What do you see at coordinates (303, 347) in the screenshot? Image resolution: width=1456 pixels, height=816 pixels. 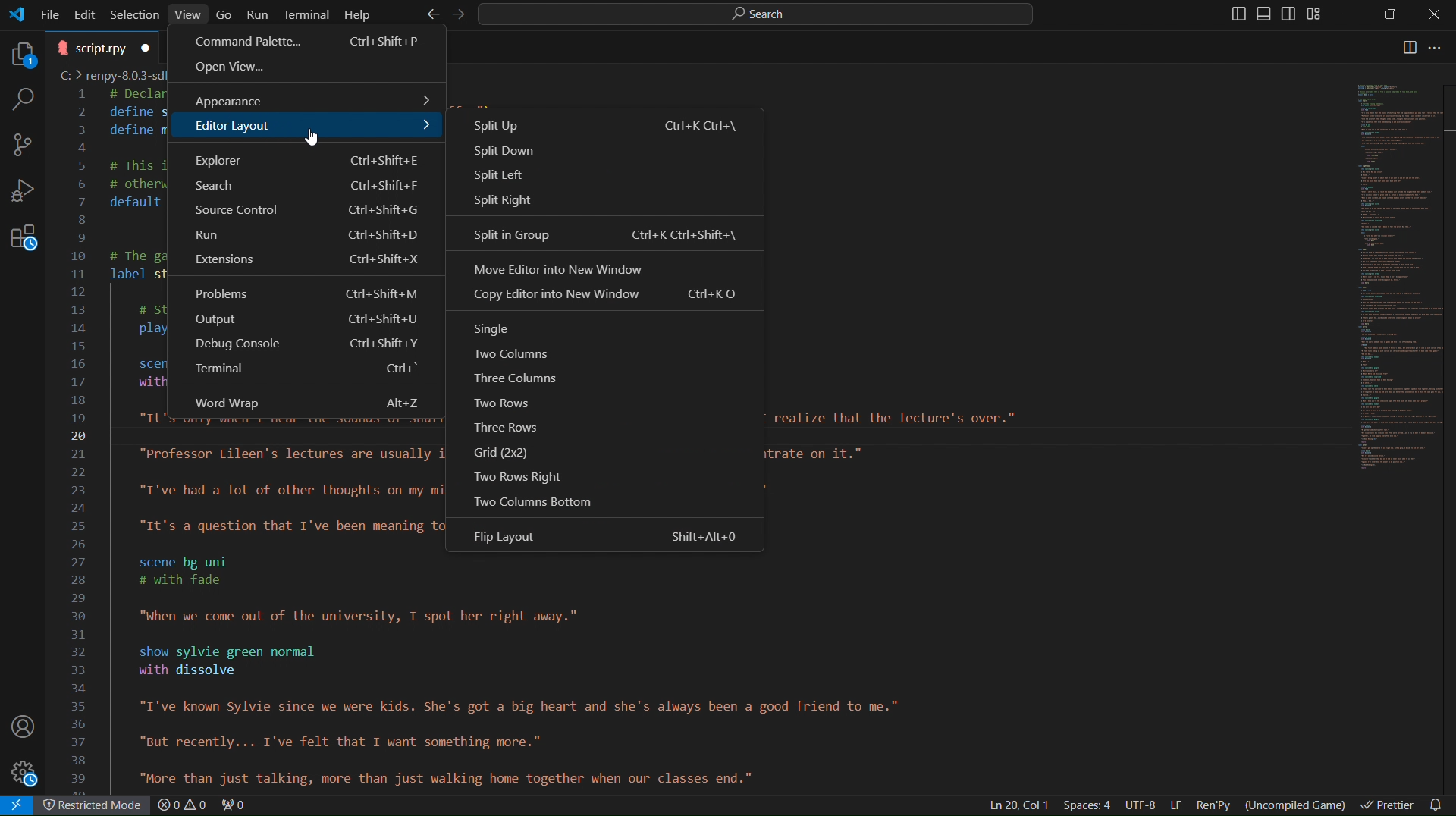 I see `Debug Console   ctrl+shift+Y` at bounding box center [303, 347].